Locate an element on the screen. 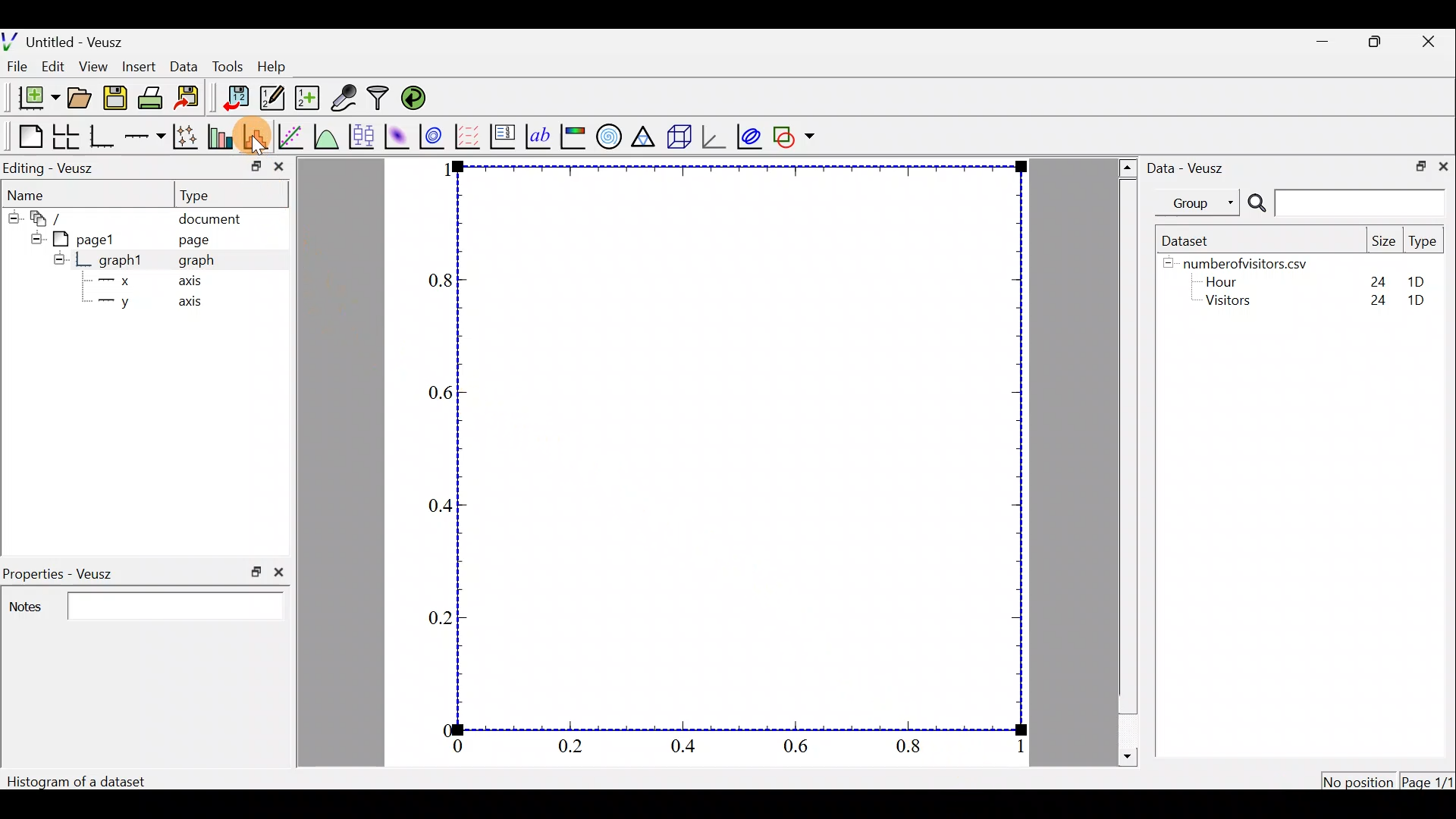 This screenshot has height=819, width=1456. Ternary graph is located at coordinates (642, 138).